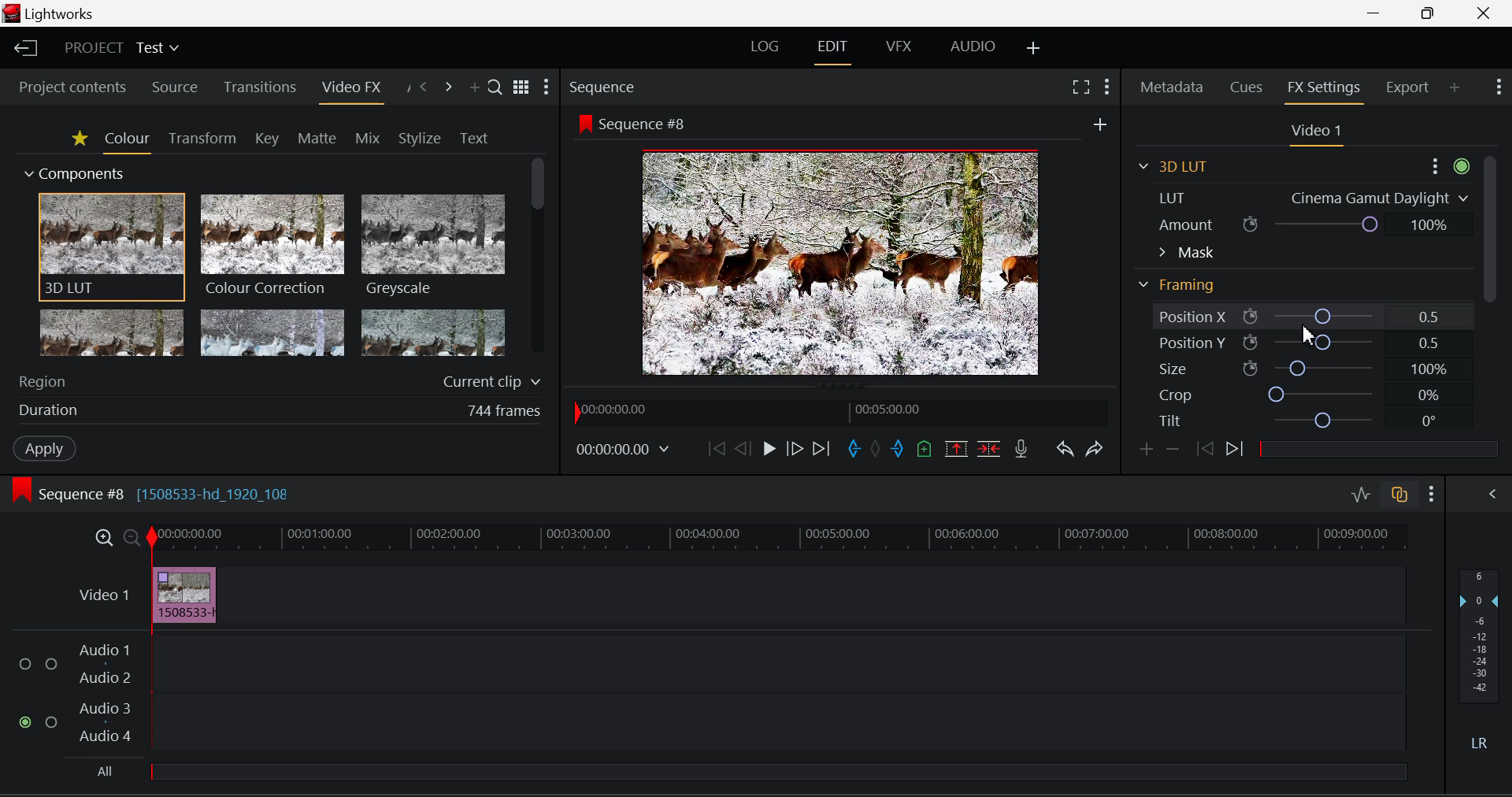  Describe the element at coordinates (1431, 494) in the screenshot. I see `Show Settings` at that location.